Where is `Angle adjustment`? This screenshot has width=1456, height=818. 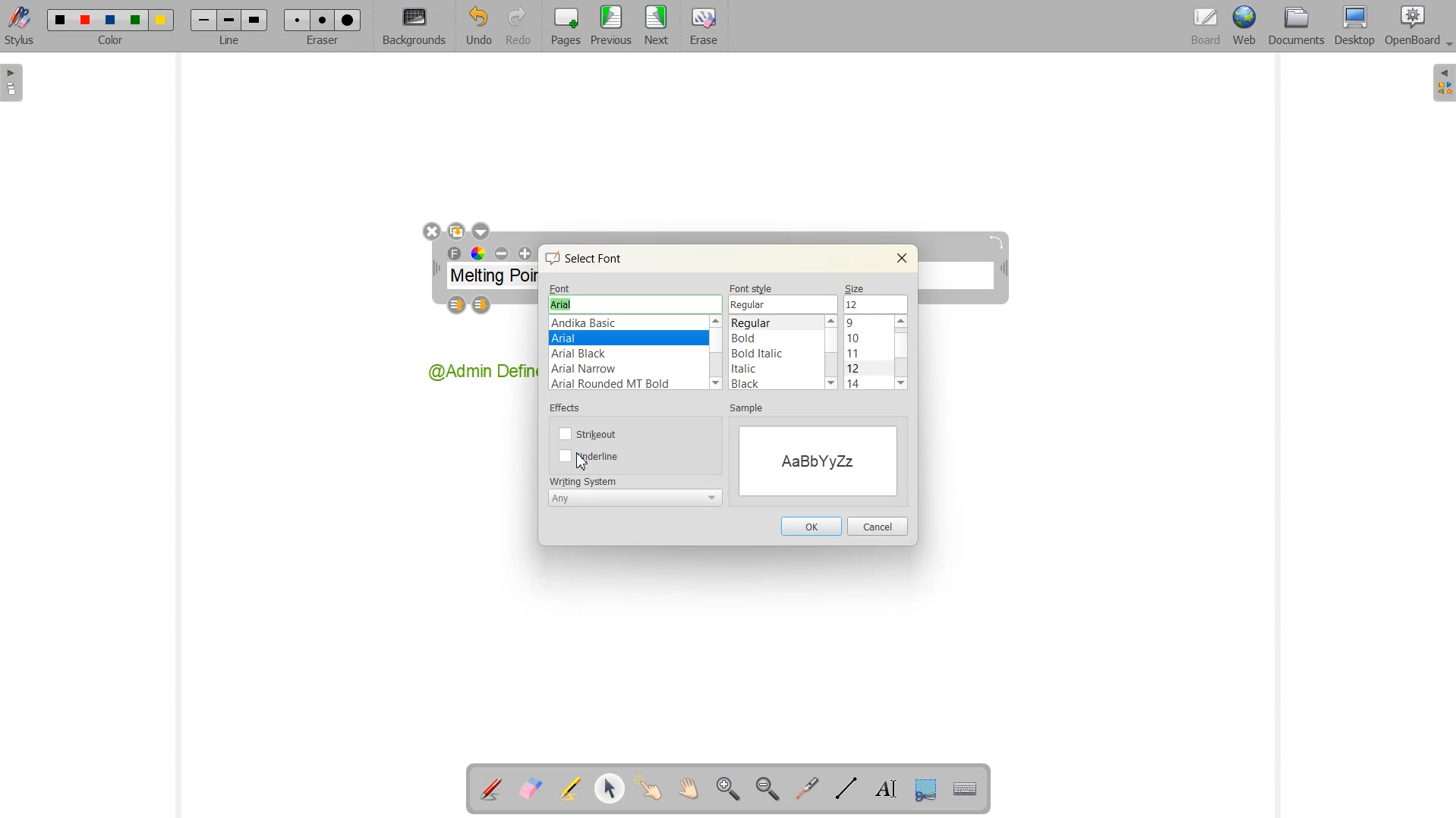 Angle adjustment is located at coordinates (998, 242).